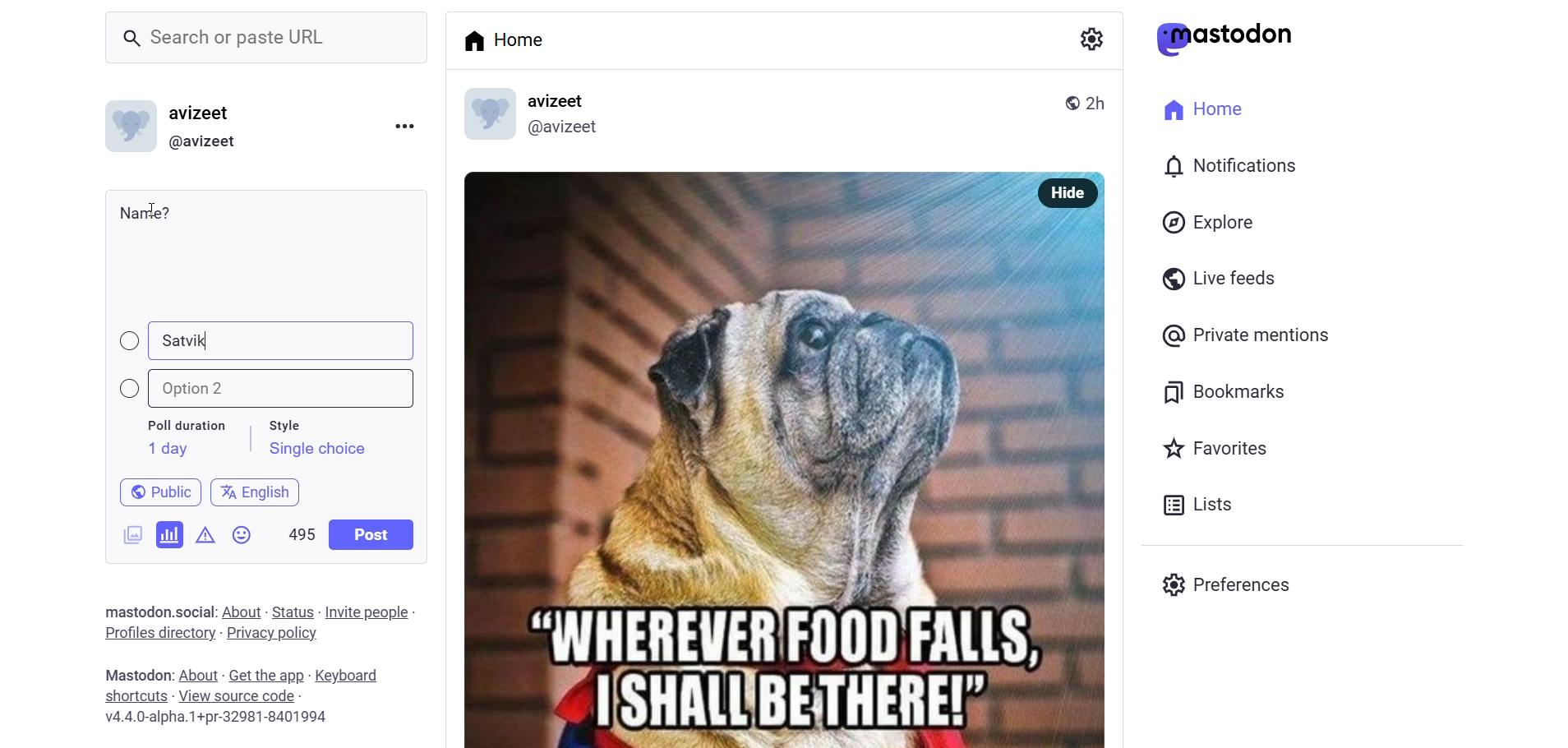  What do you see at coordinates (192, 612) in the screenshot?
I see `social` at bounding box center [192, 612].